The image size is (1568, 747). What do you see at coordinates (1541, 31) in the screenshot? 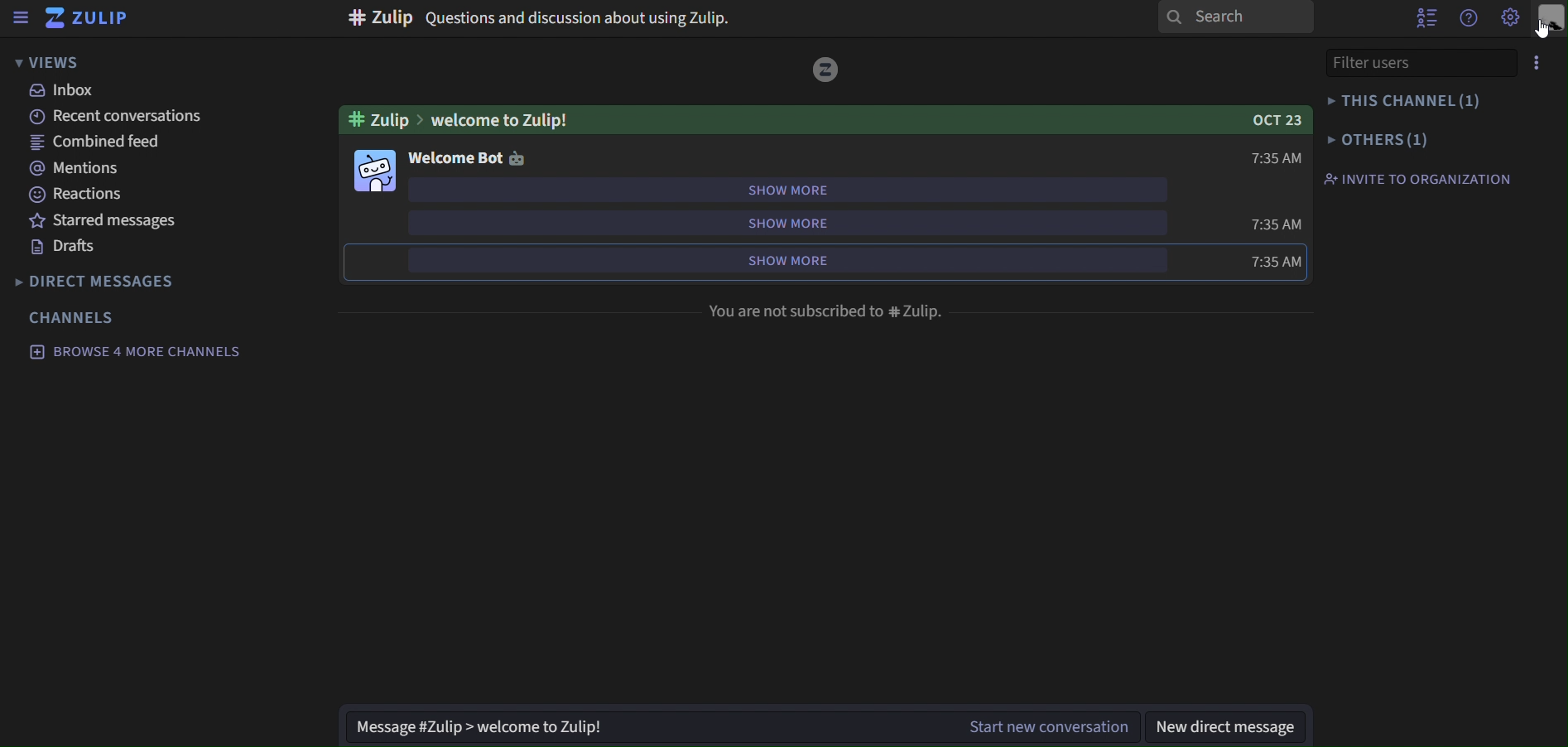
I see `cursor` at bounding box center [1541, 31].